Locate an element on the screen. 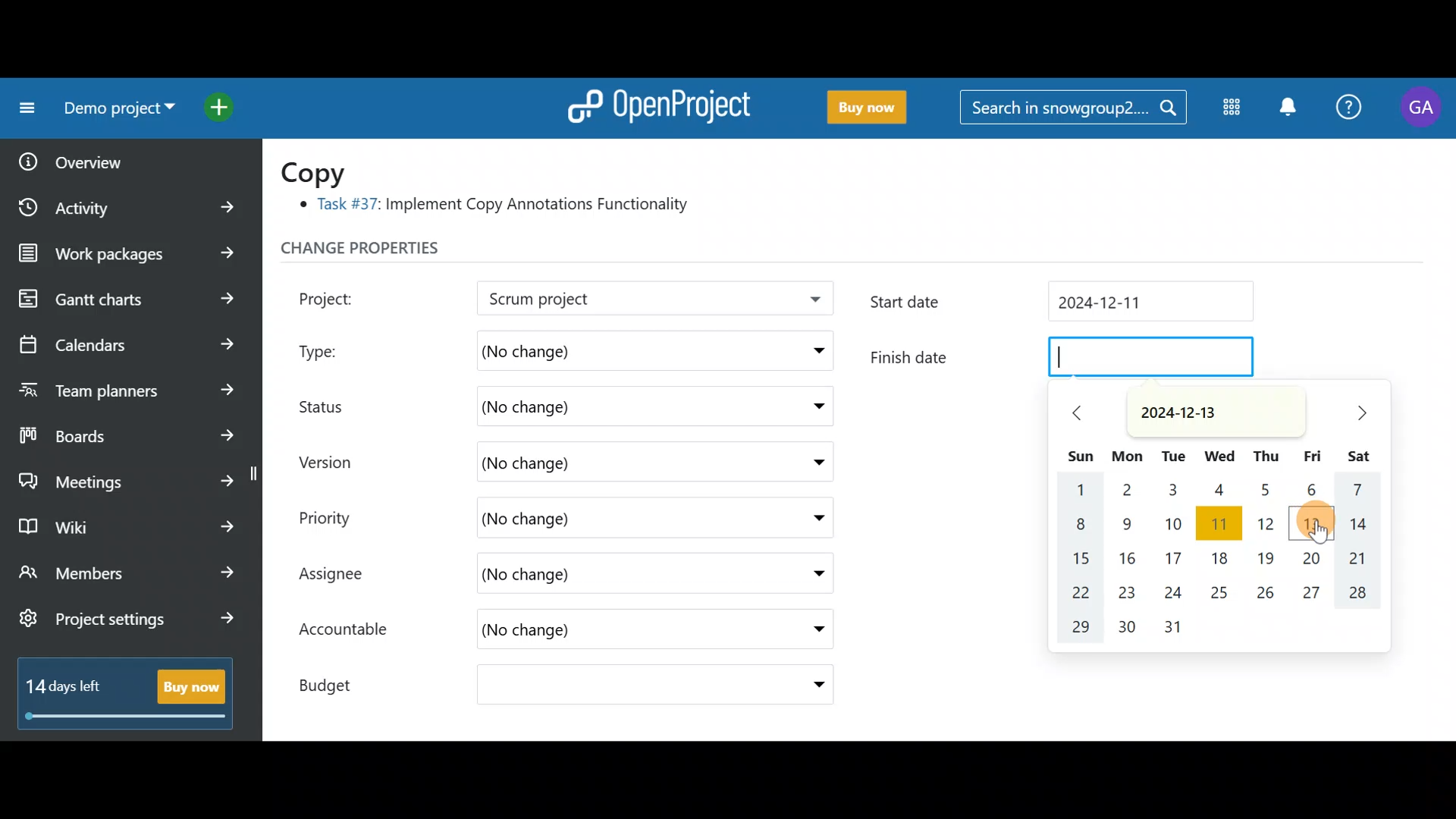  Version drop down is located at coordinates (811, 461).